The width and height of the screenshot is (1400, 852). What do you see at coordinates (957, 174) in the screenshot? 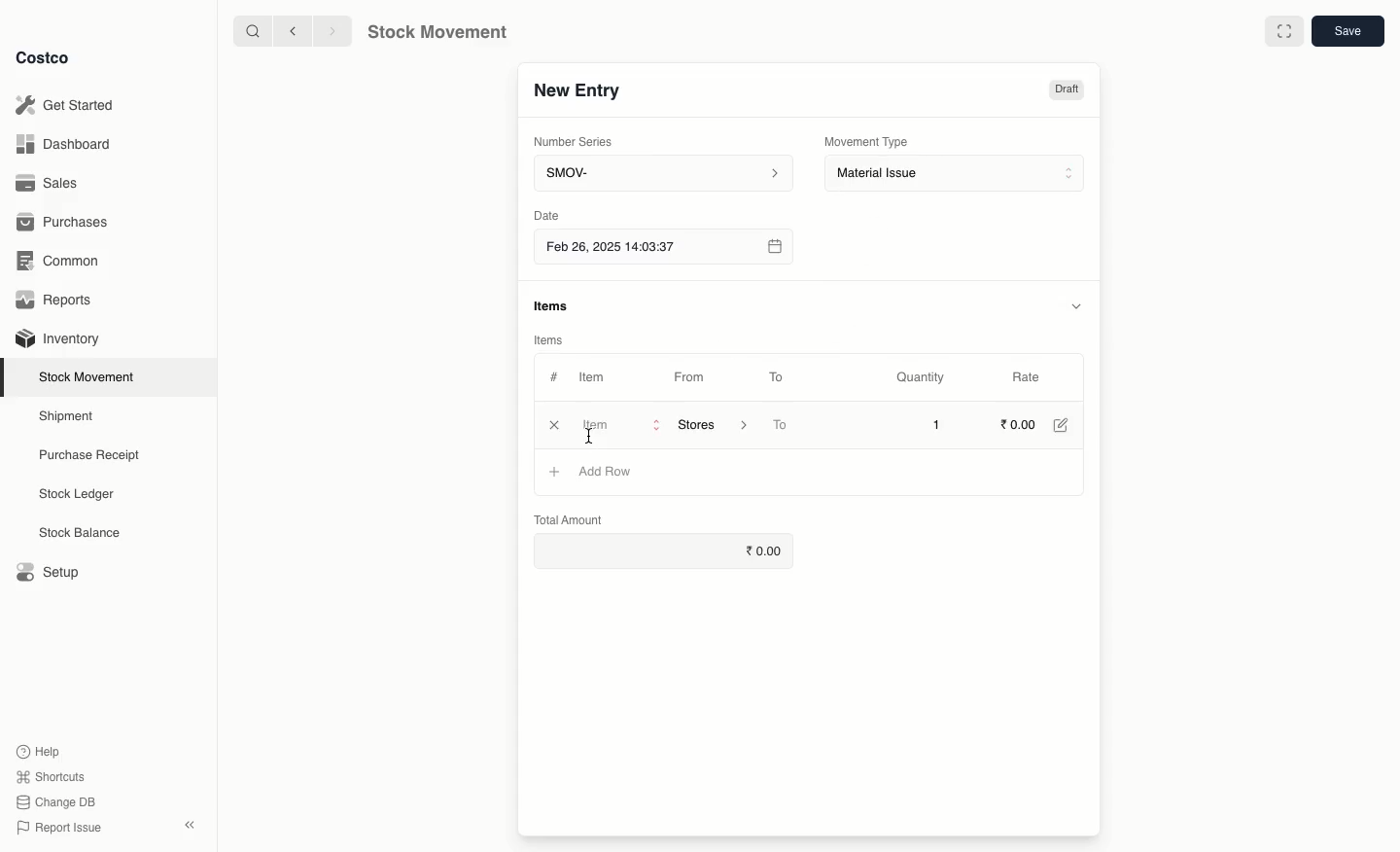
I see `Material Issue` at bounding box center [957, 174].